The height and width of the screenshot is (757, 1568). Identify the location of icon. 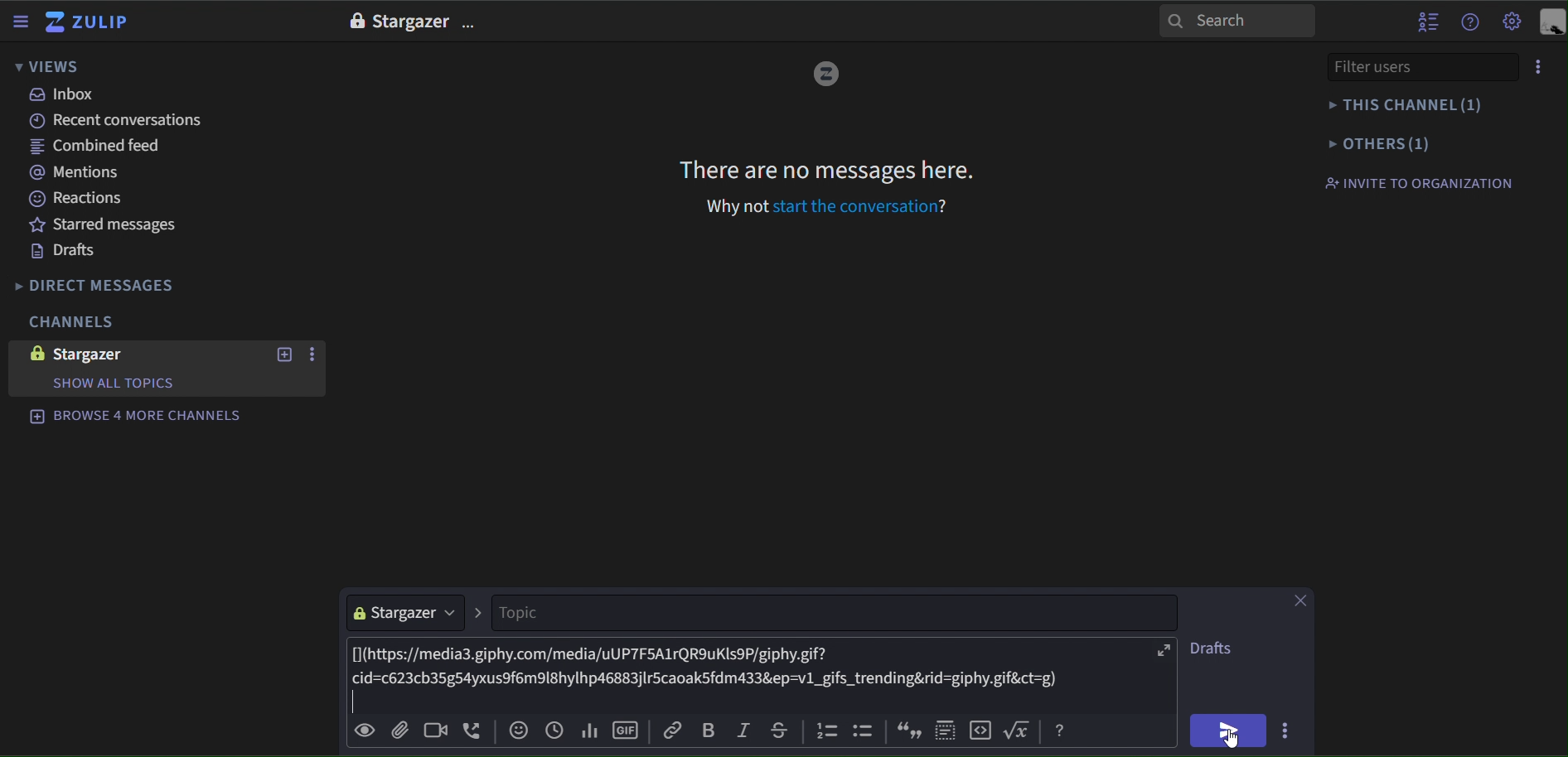
(1060, 731).